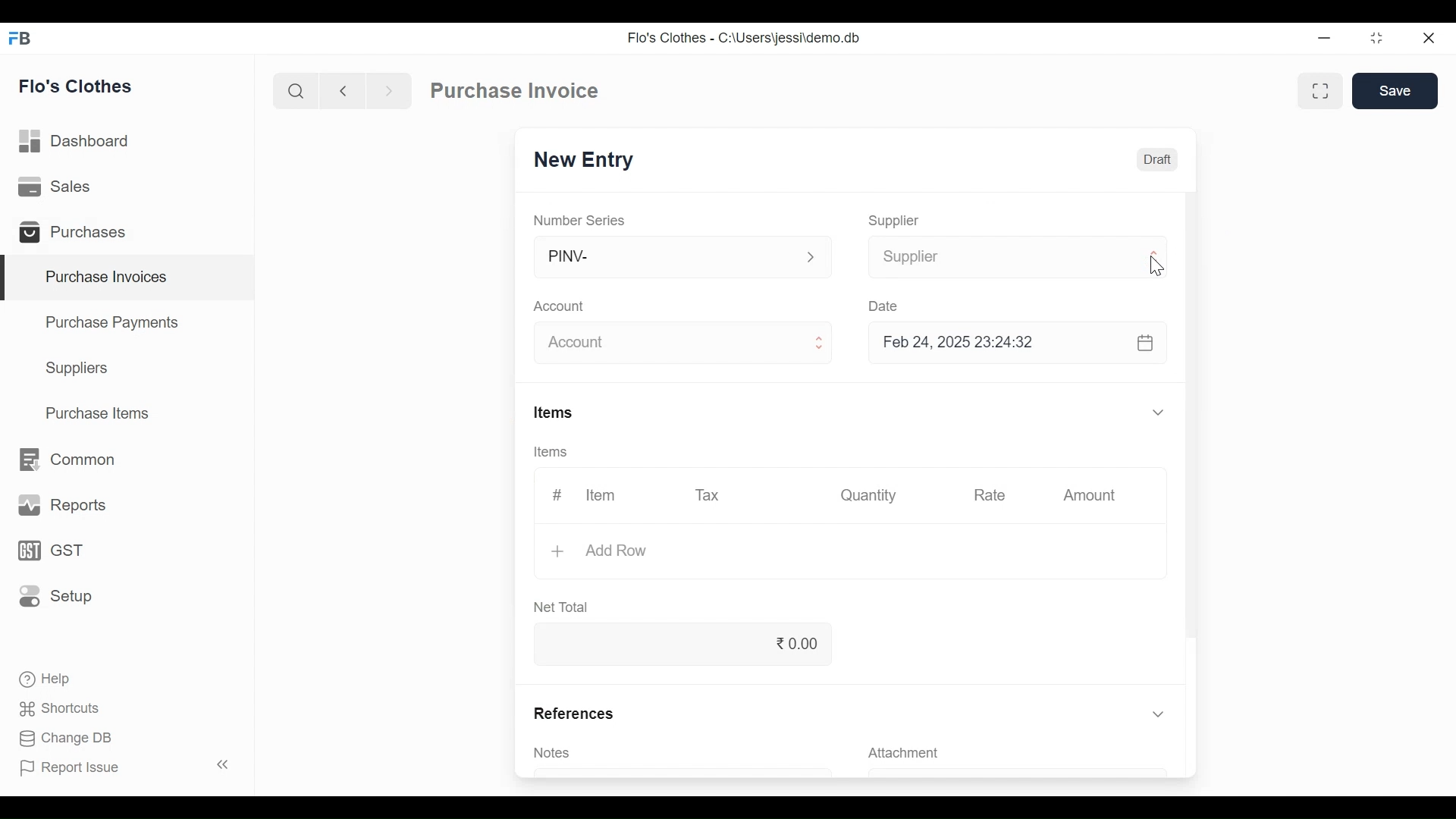  I want to click on Quantity, so click(871, 496).